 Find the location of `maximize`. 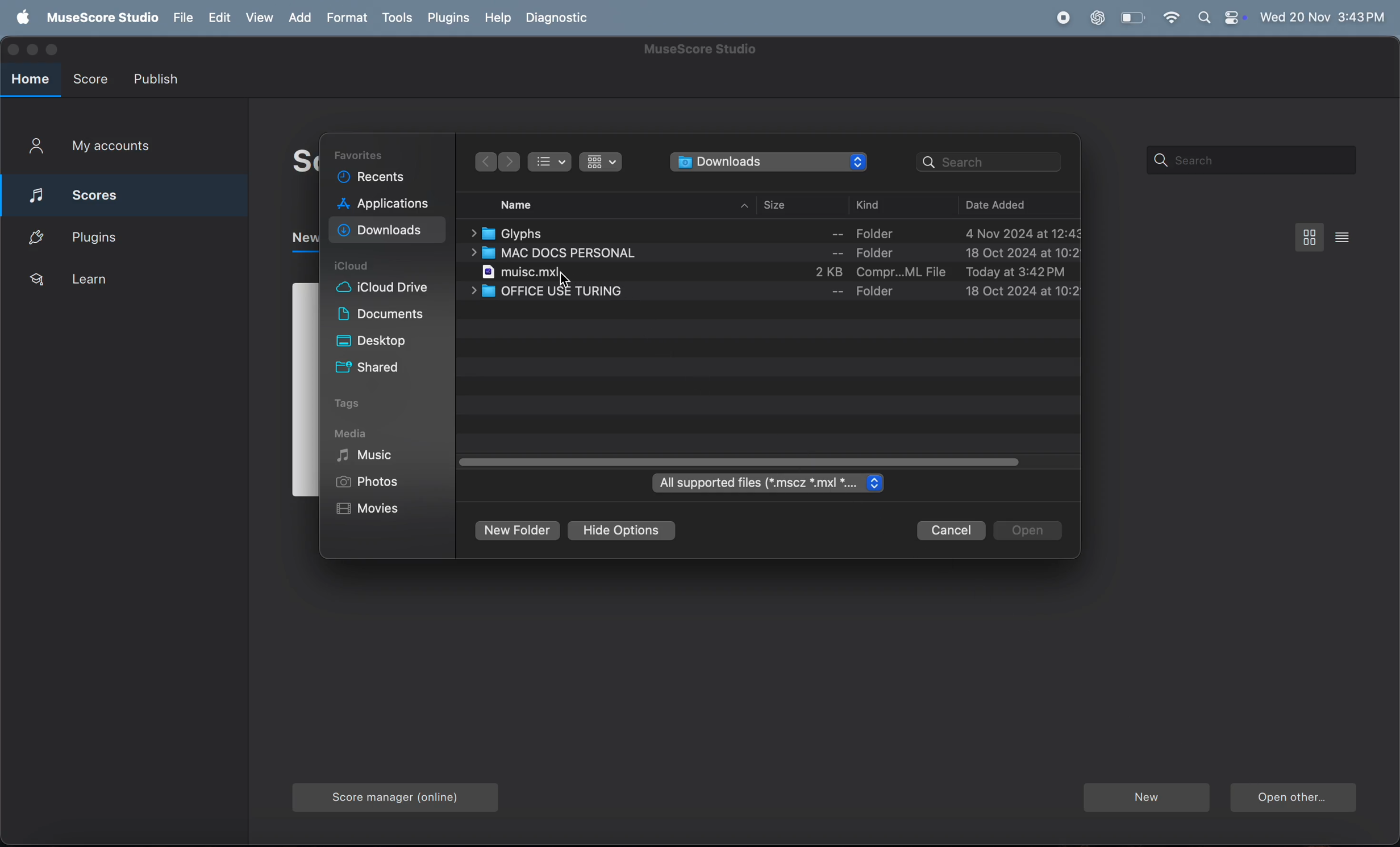

maximize is located at coordinates (53, 49).